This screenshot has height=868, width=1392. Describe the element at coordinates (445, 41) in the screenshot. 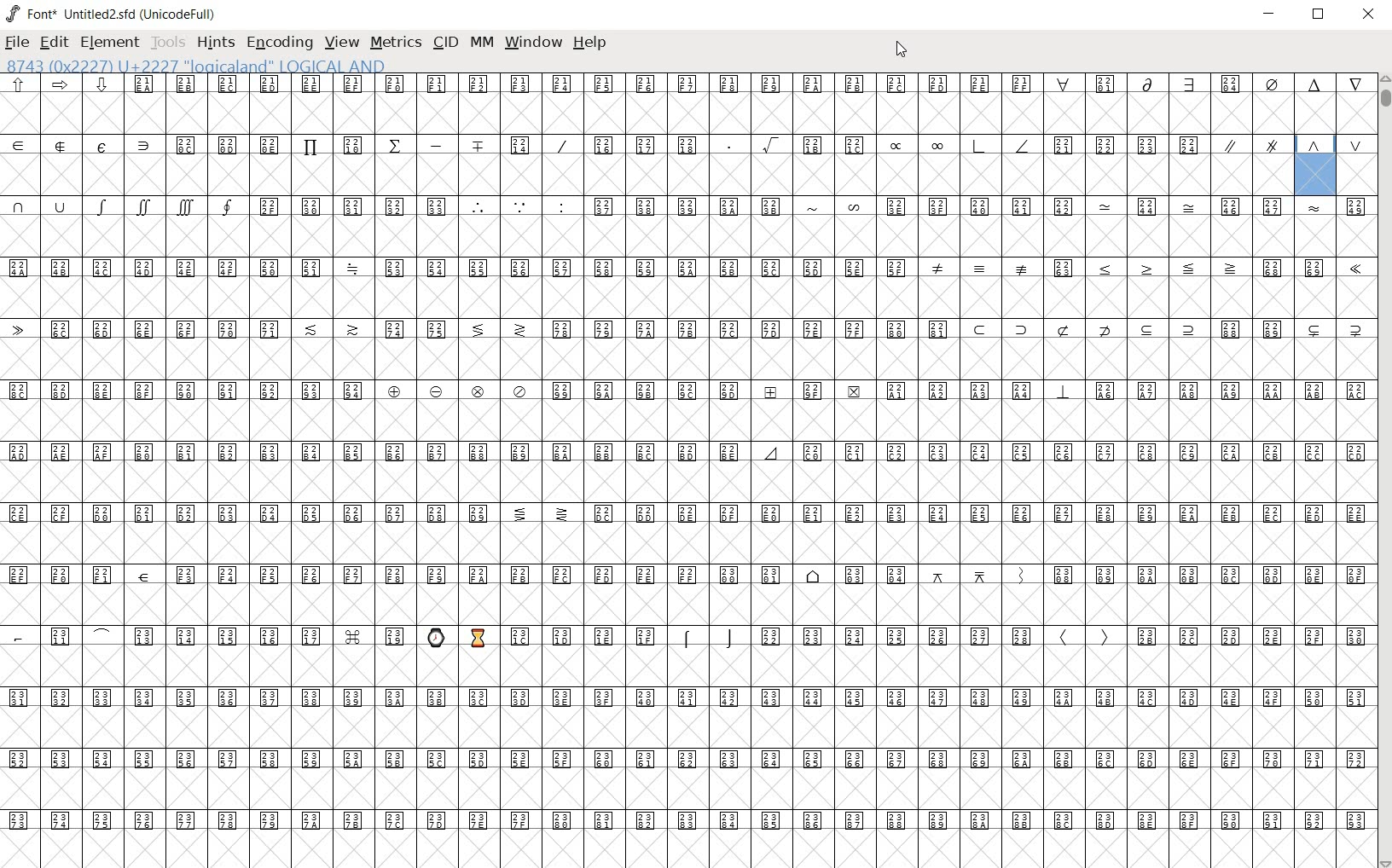

I see `cid` at that location.